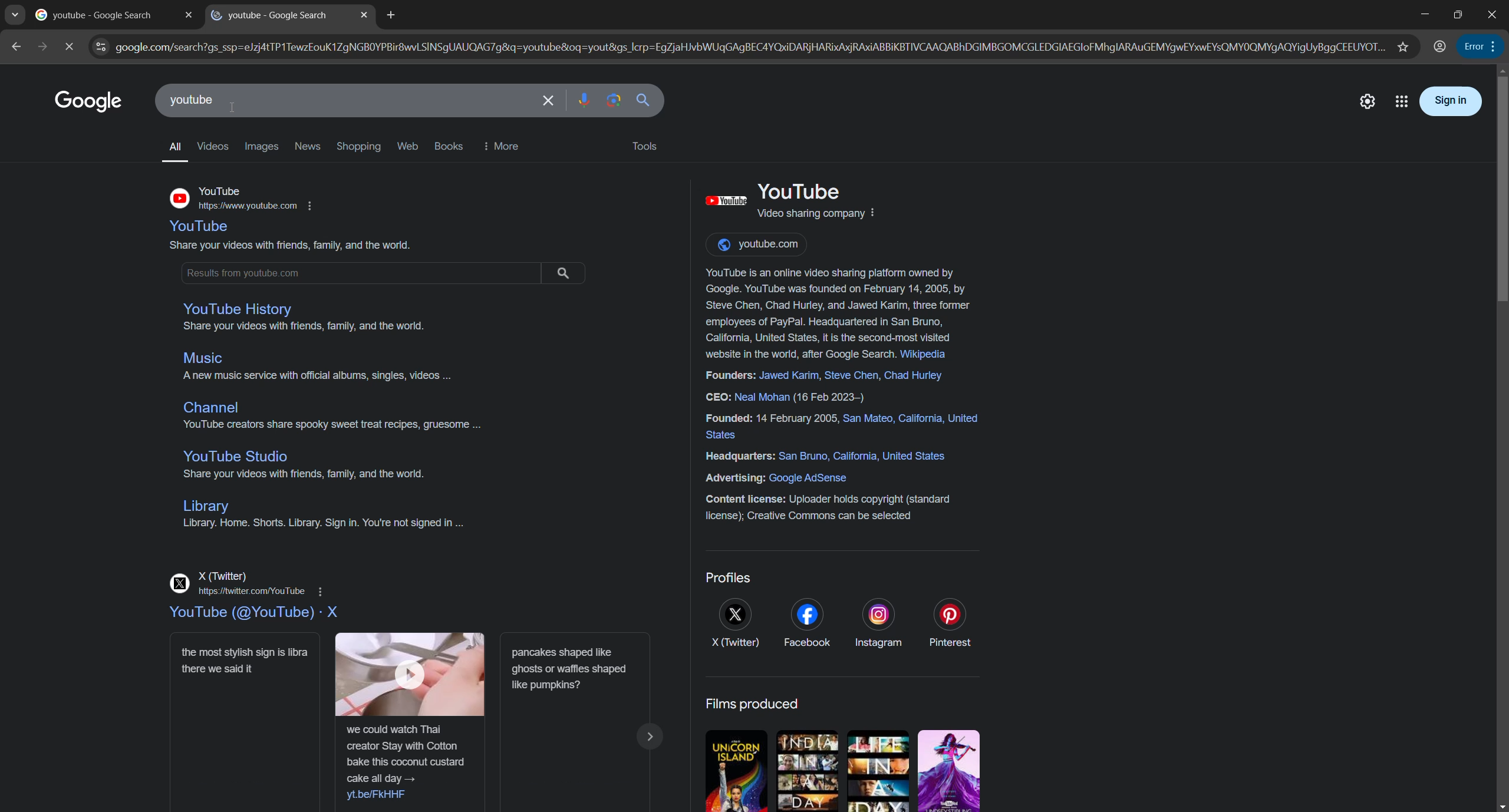 The image size is (1509, 812). I want to click on maximize or restore, so click(1457, 14).